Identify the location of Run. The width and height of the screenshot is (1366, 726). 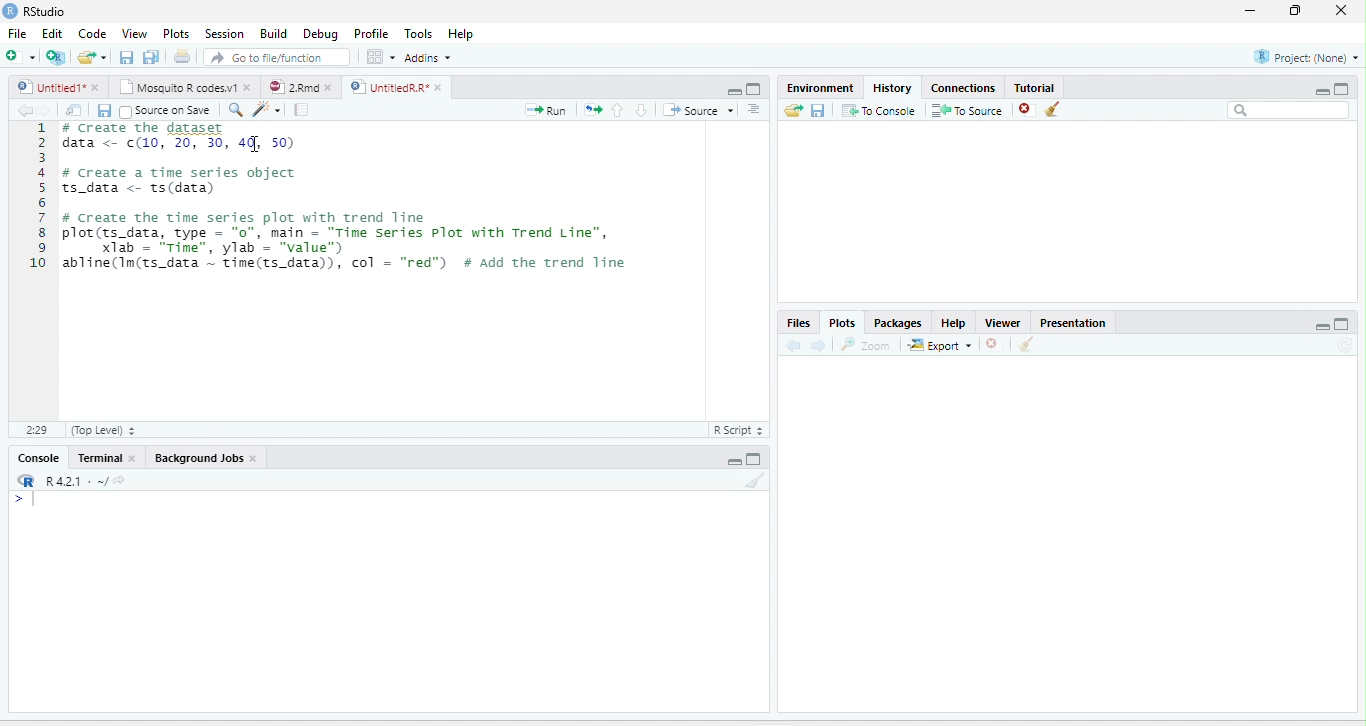
(546, 110).